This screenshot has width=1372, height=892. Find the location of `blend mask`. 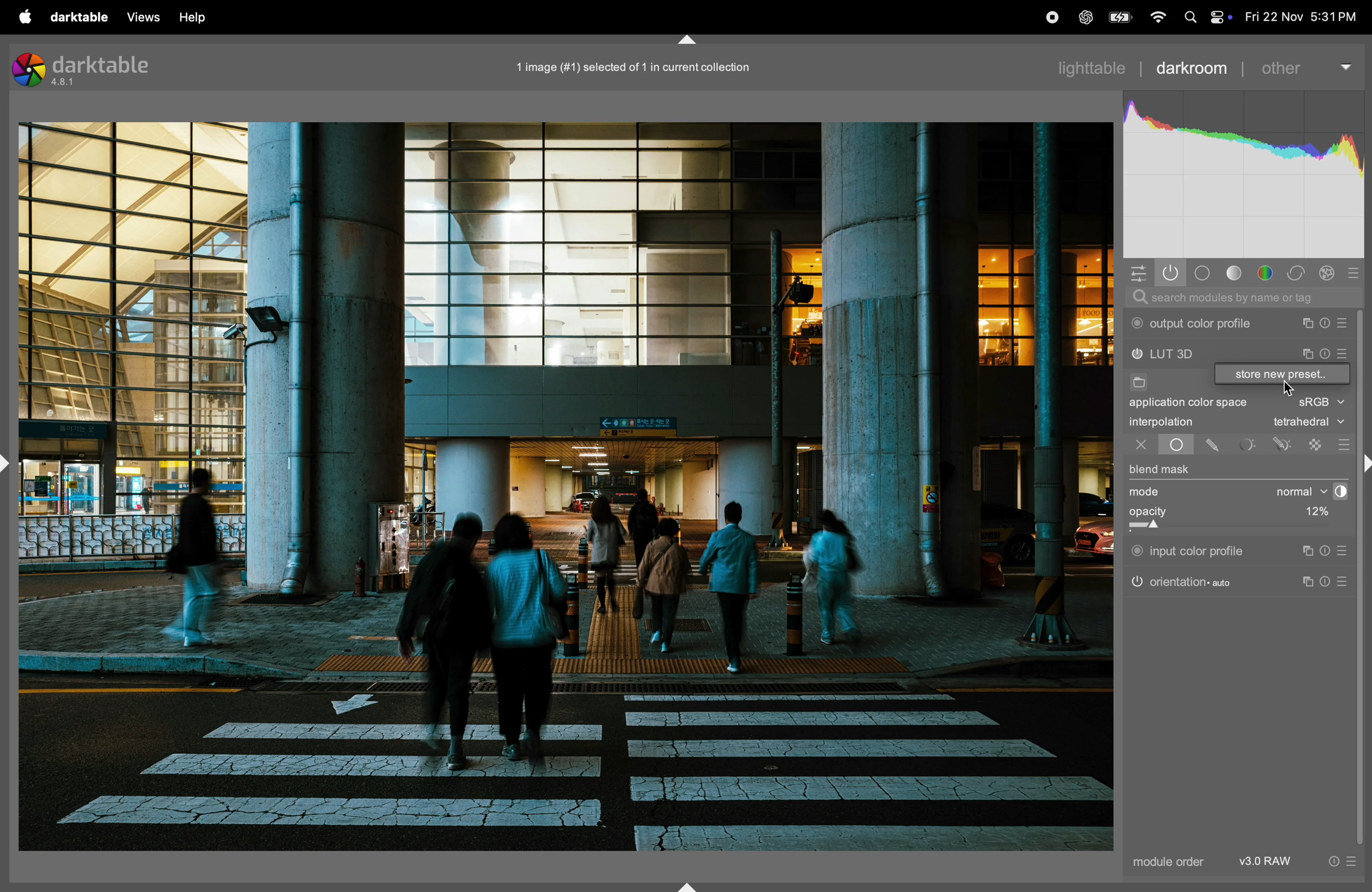

blend mask is located at coordinates (1160, 471).